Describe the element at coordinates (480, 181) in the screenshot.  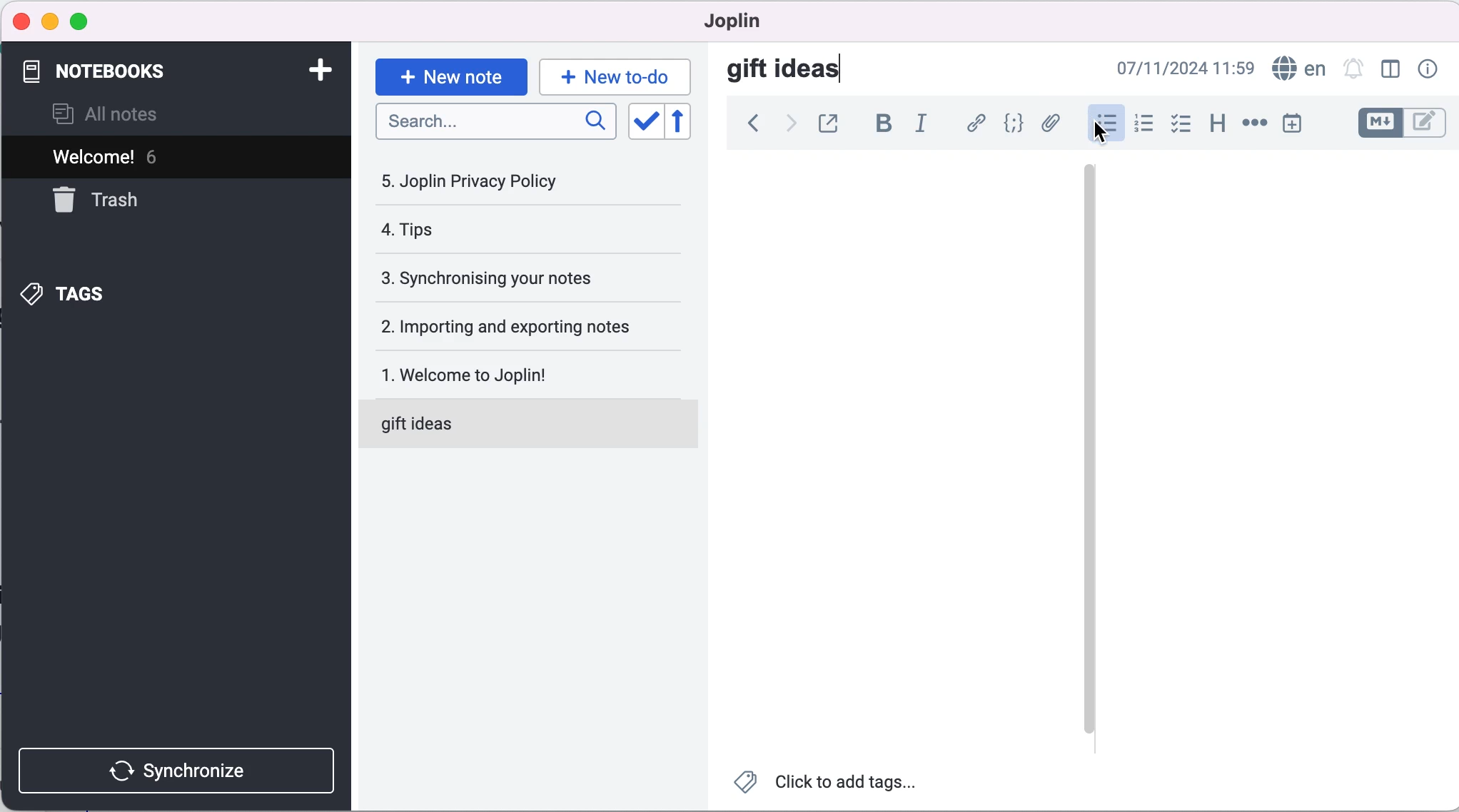
I see `joplin privacy policy` at that location.